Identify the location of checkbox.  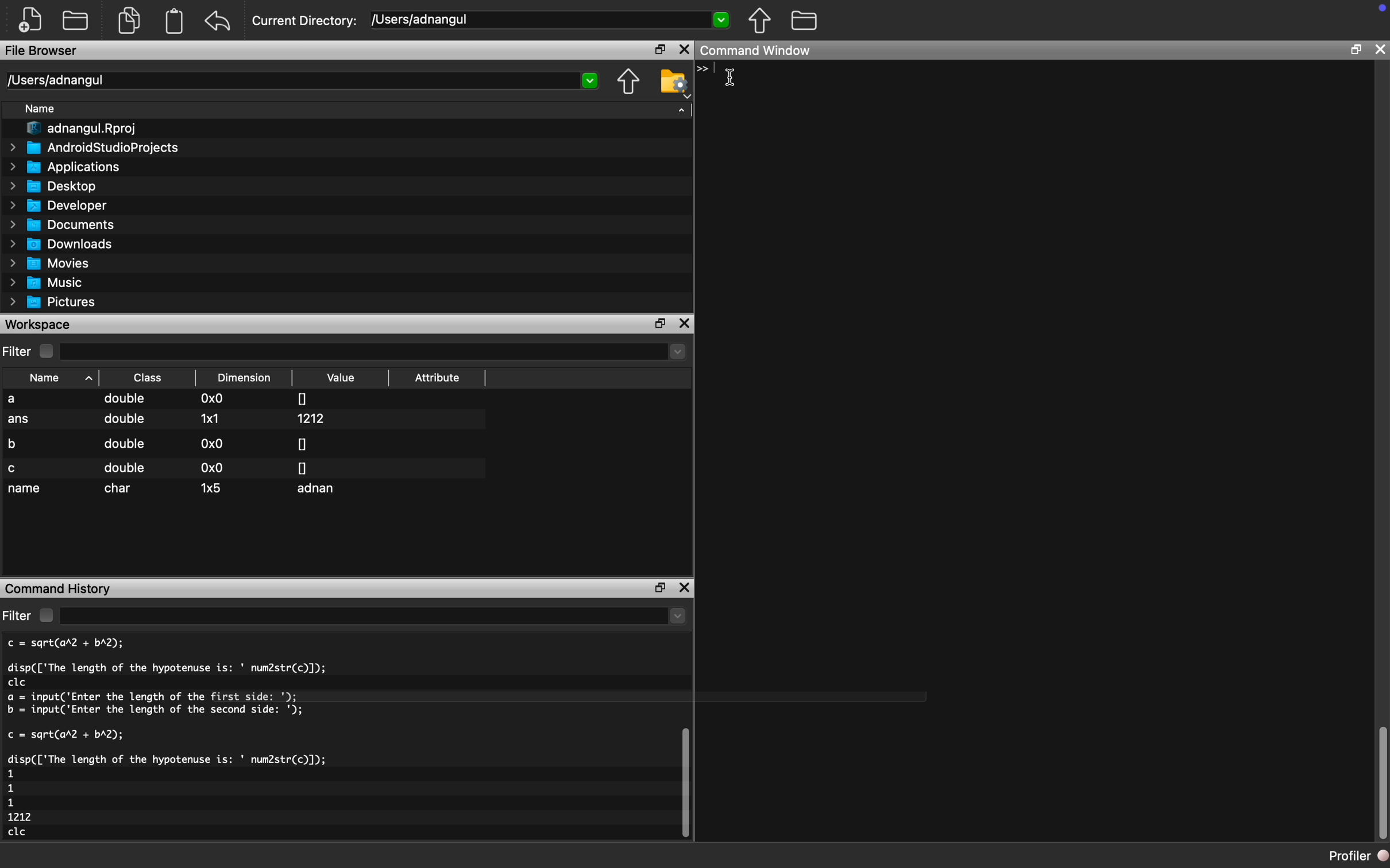
(45, 615).